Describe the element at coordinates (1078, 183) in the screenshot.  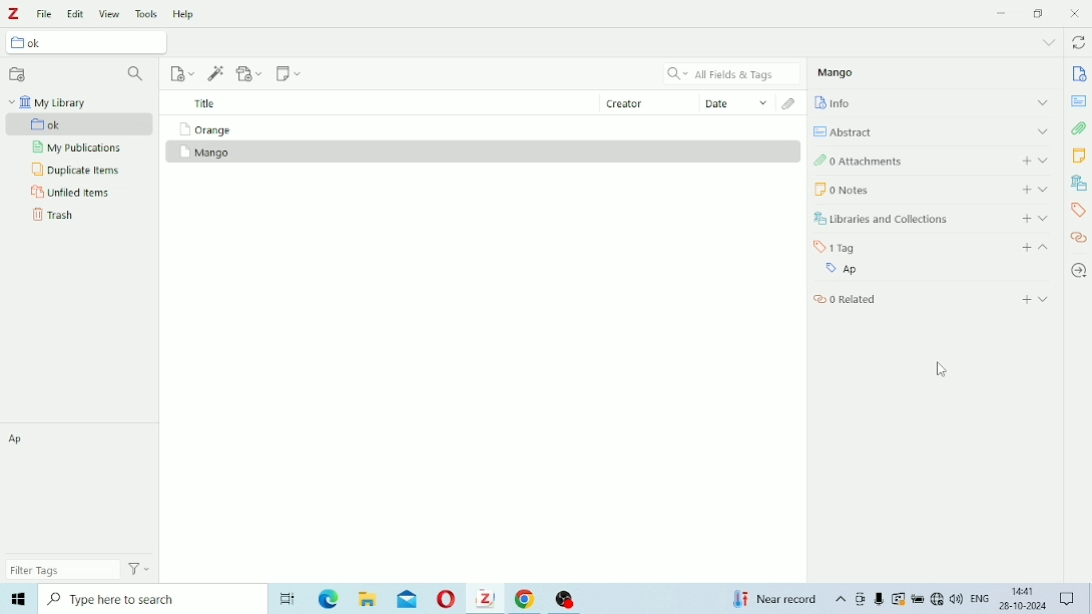
I see `Libraries and Collections` at that location.